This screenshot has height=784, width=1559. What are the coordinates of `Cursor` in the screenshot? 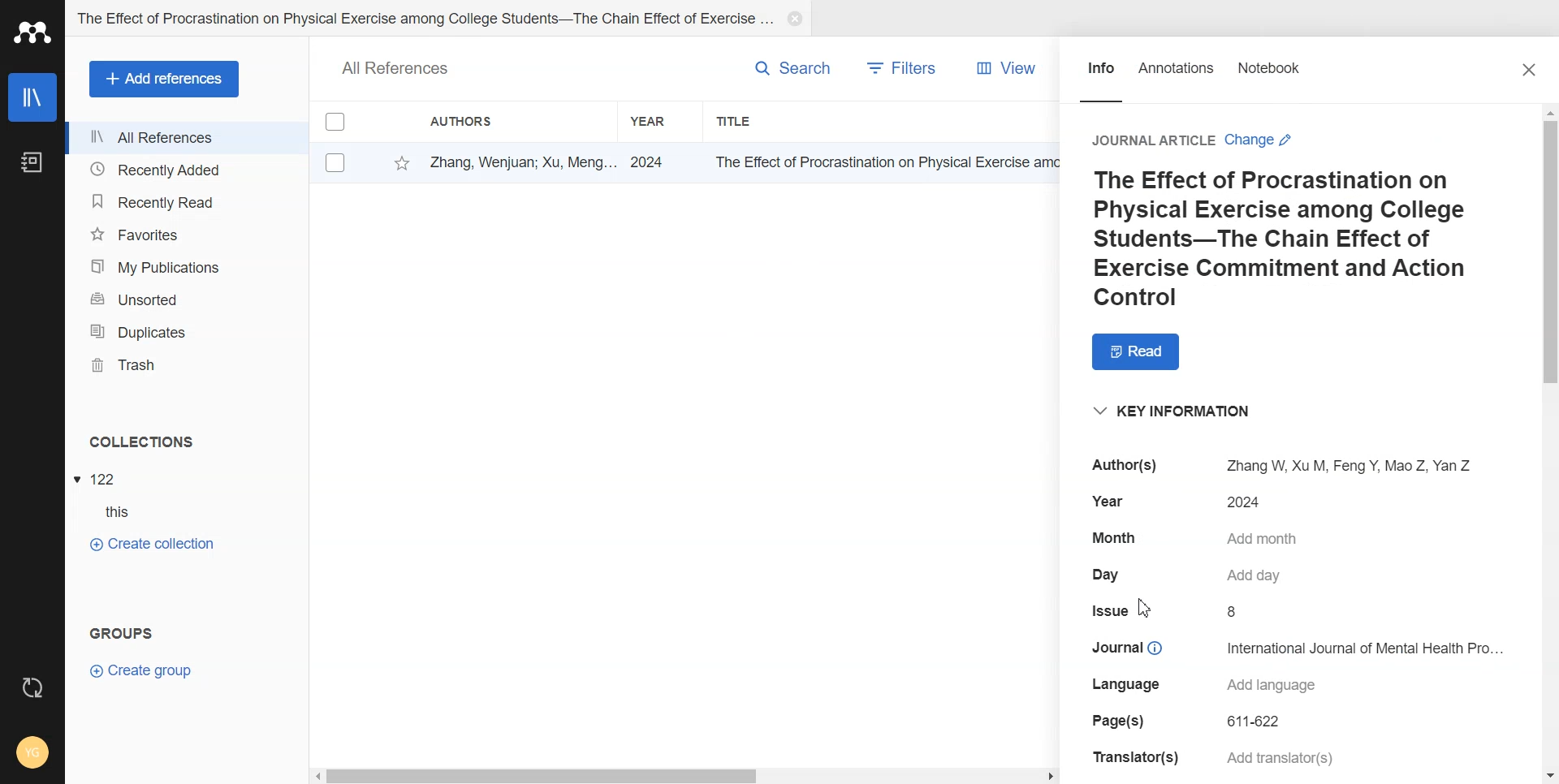 It's located at (1148, 608).